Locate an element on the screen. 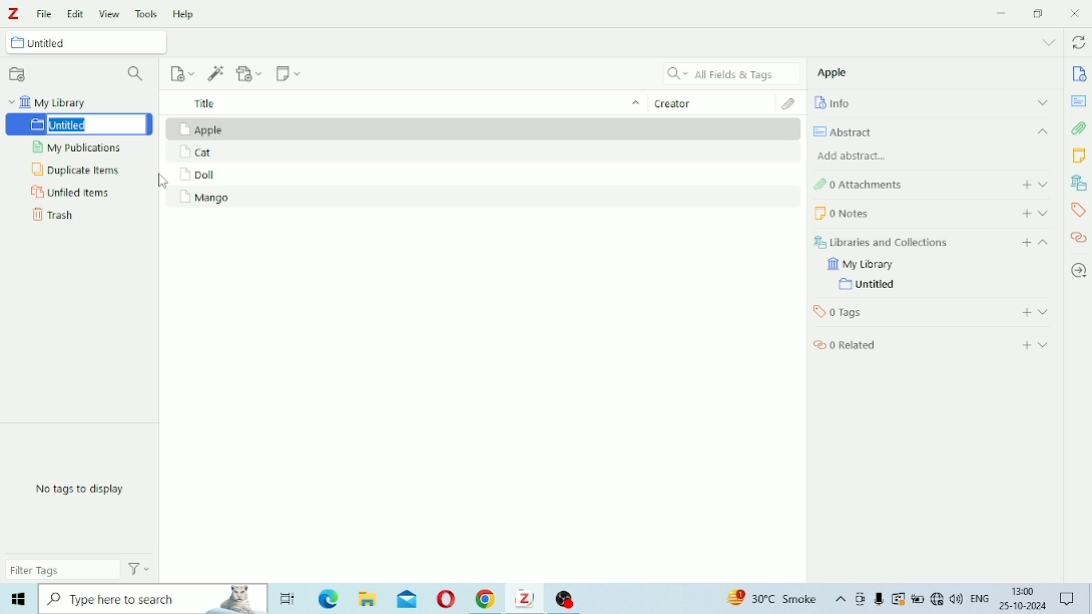 This screenshot has width=1092, height=614. Libraries and Collections is located at coordinates (880, 242).